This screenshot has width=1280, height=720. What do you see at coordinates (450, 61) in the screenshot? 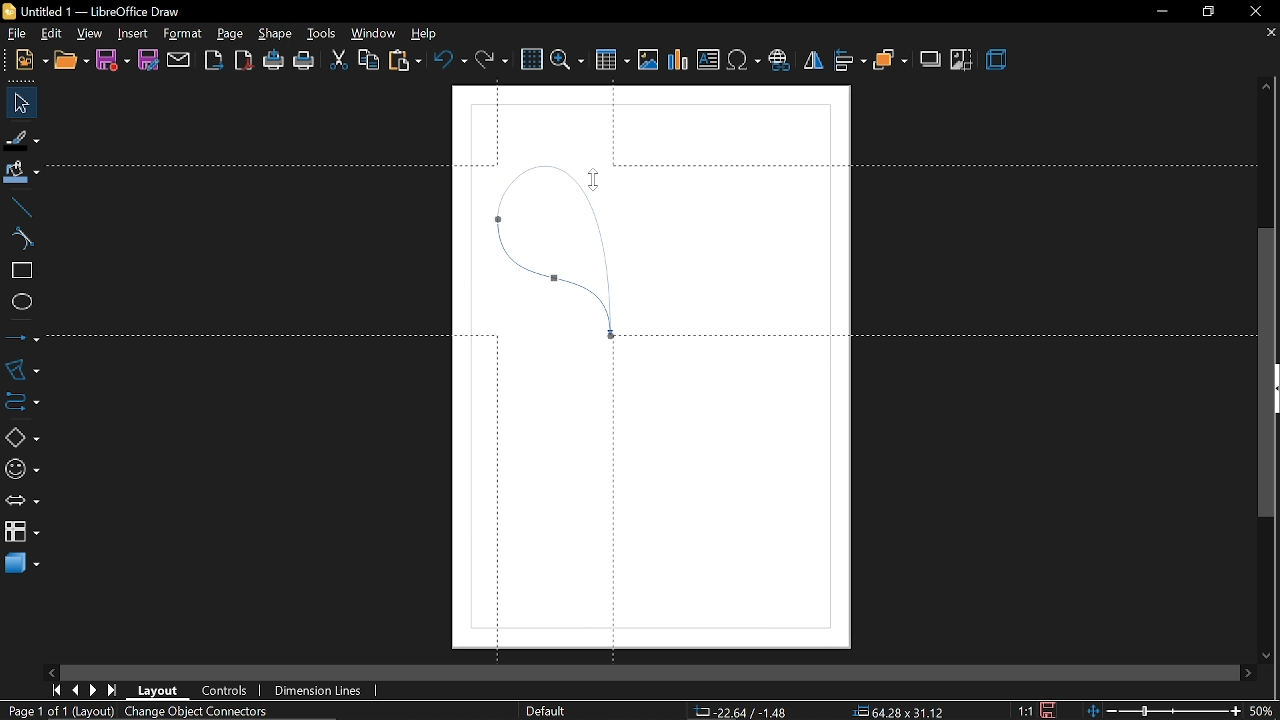
I see `undo` at bounding box center [450, 61].